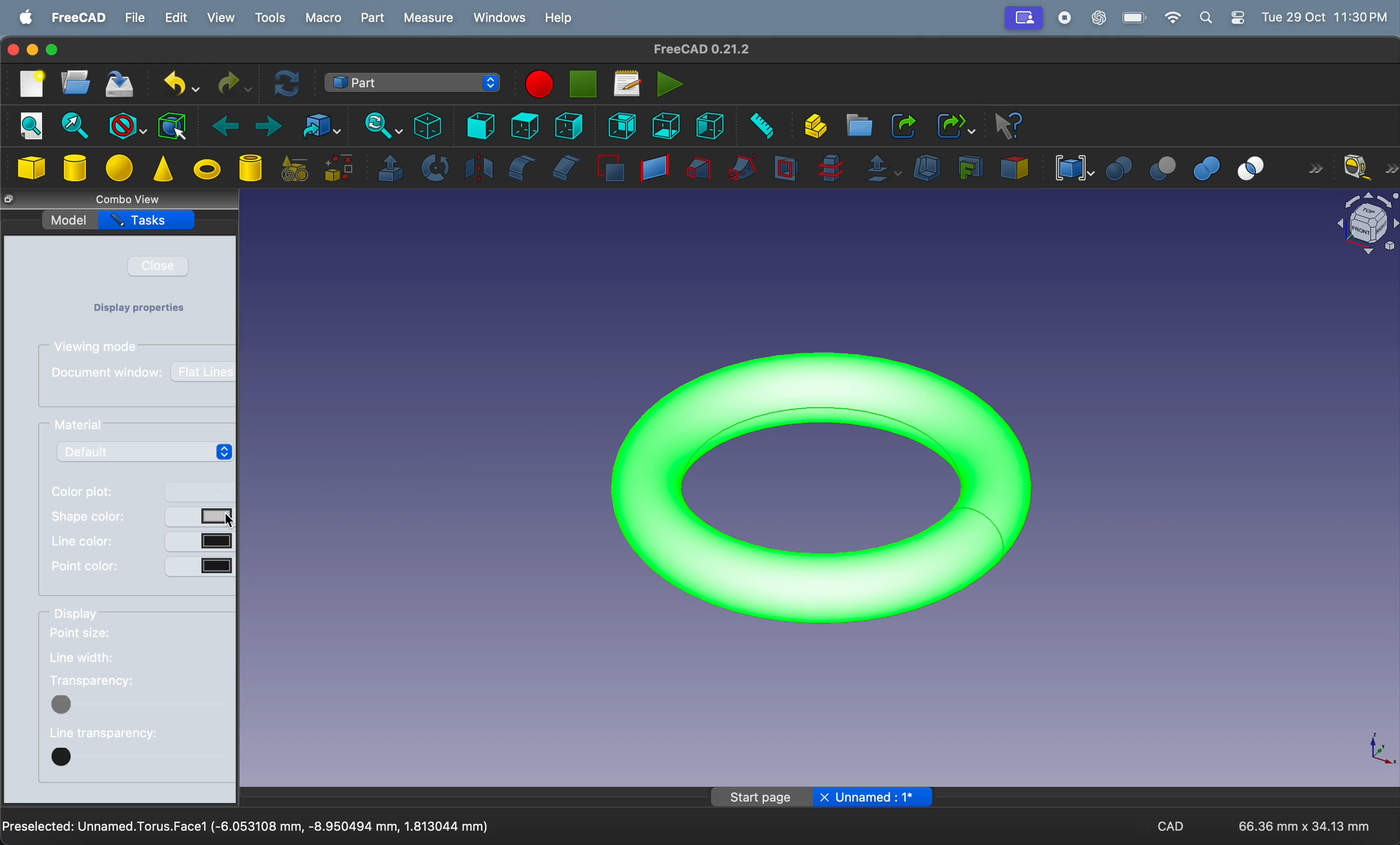  I want to click on forward , so click(264, 125).